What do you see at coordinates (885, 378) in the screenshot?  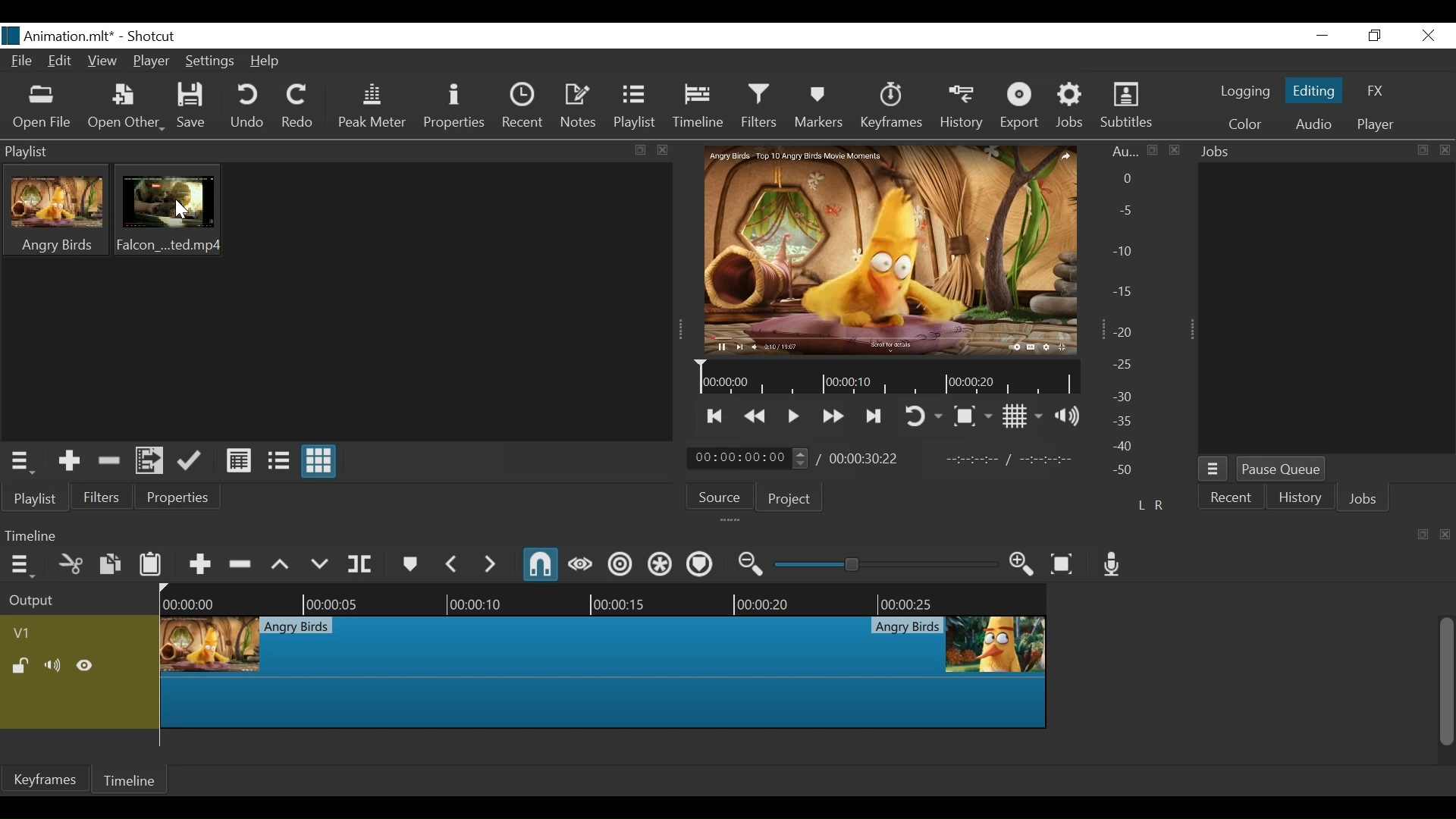 I see `Timeline` at bounding box center [885, 378].